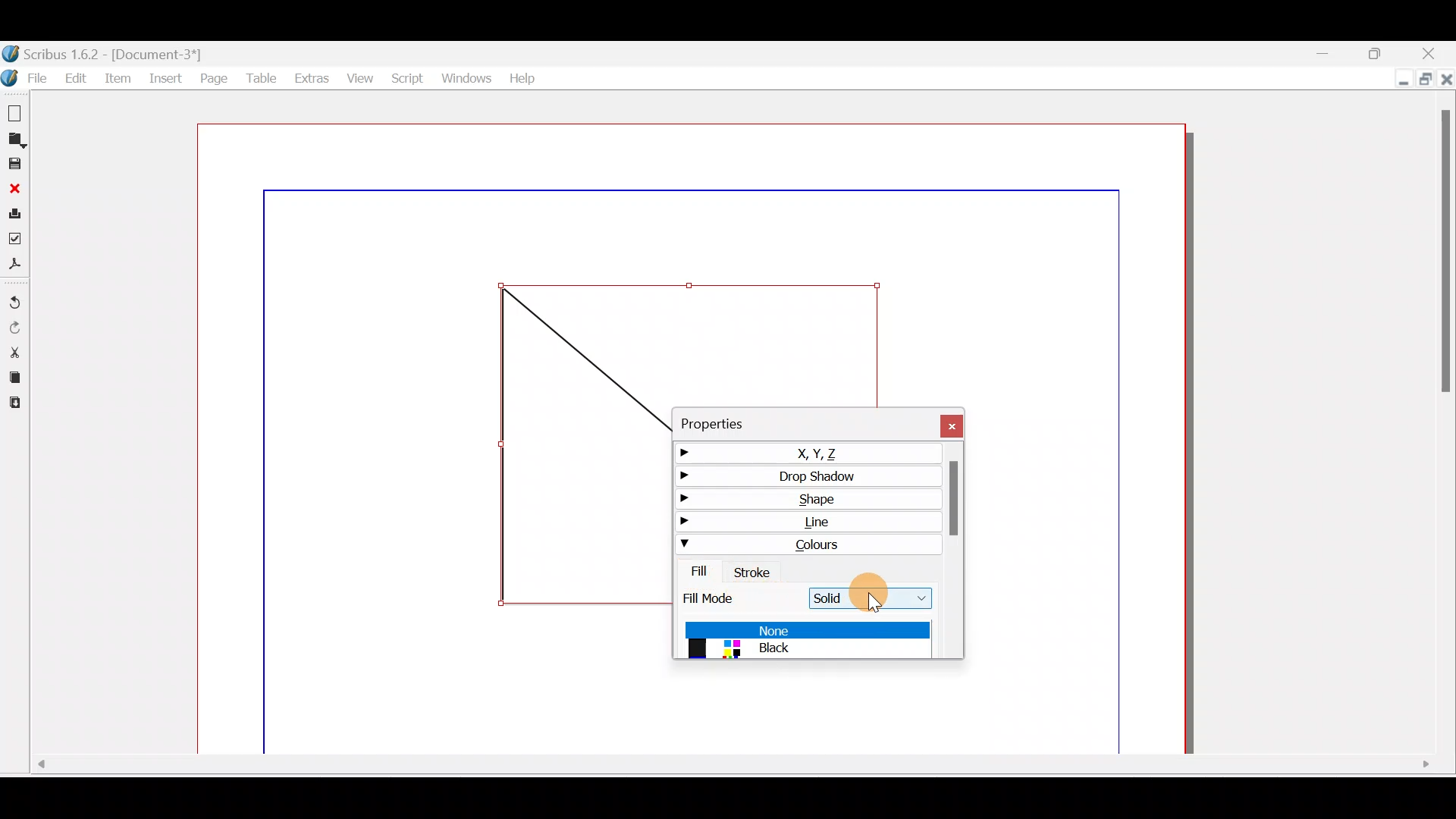 Image resolution: width=1456 pixels, height=819 pixels. Describe the element at coordinates (13, 187) in the screenshot. I see `Close` at that location.